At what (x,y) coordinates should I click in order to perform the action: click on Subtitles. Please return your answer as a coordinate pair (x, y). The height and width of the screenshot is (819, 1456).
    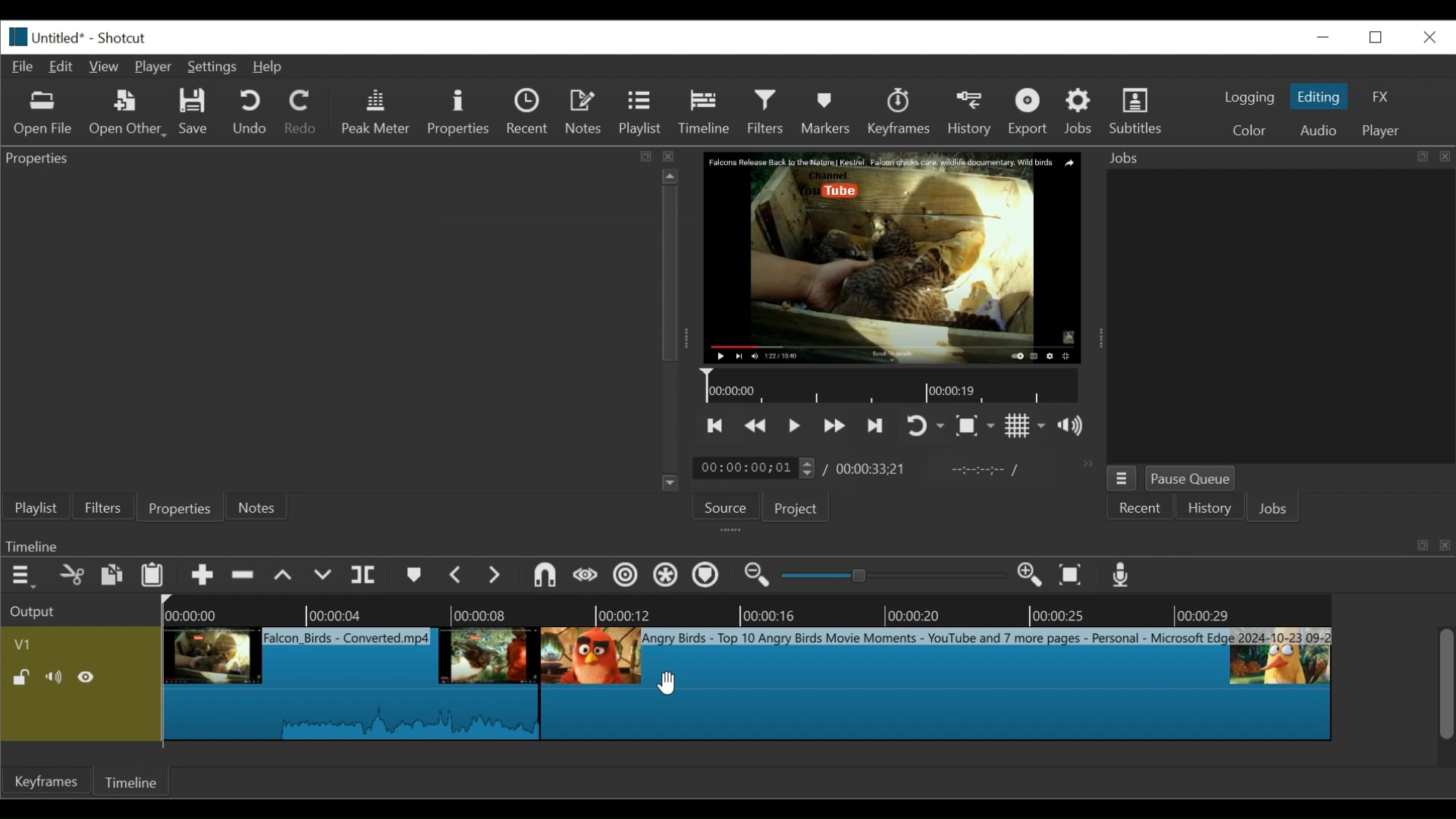
    Looking at the image, I should click on (1137, 111).